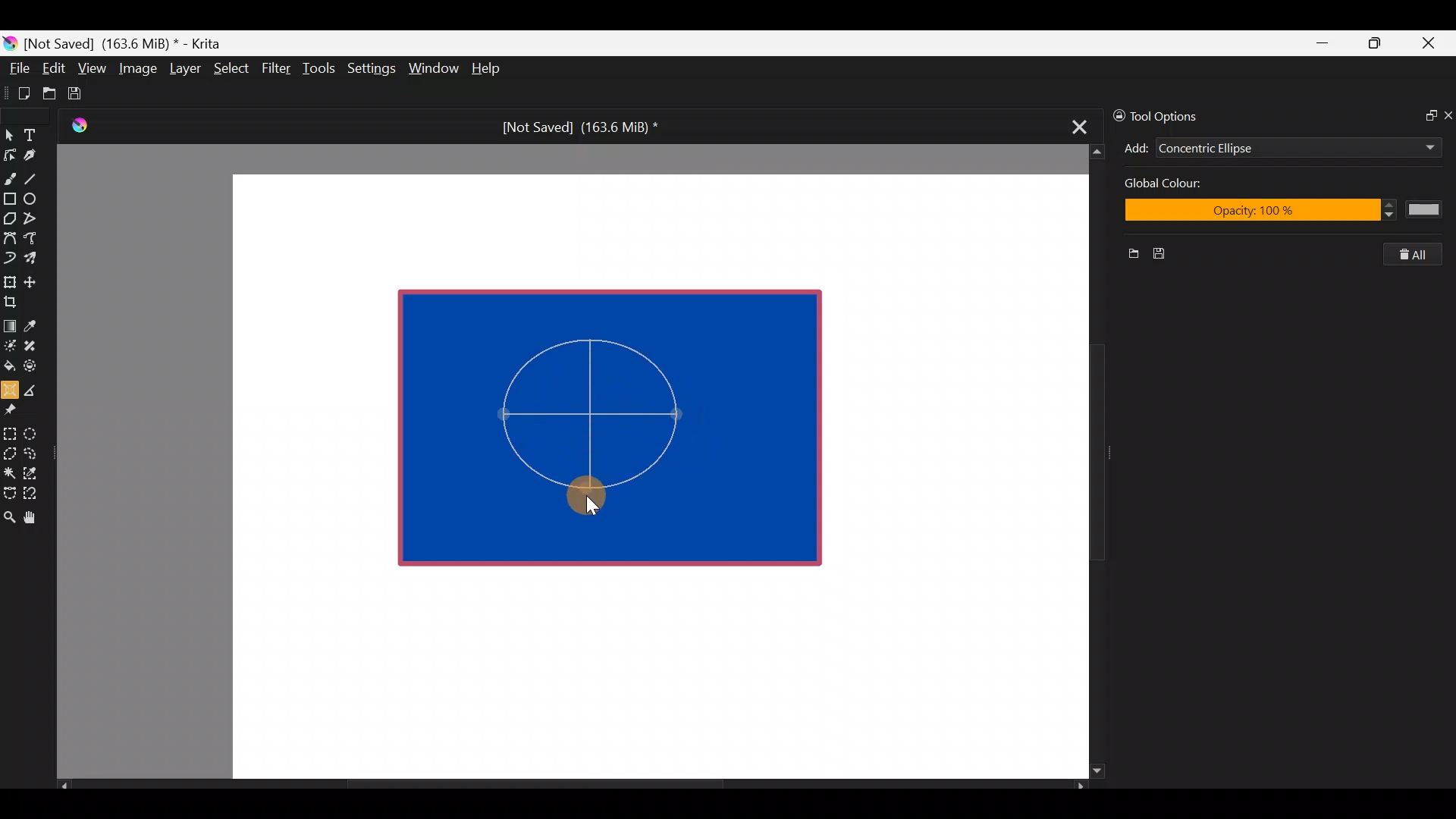 The height and width of the screenshot is (819, 1456). I want to click on Close, so click(1429, 46).